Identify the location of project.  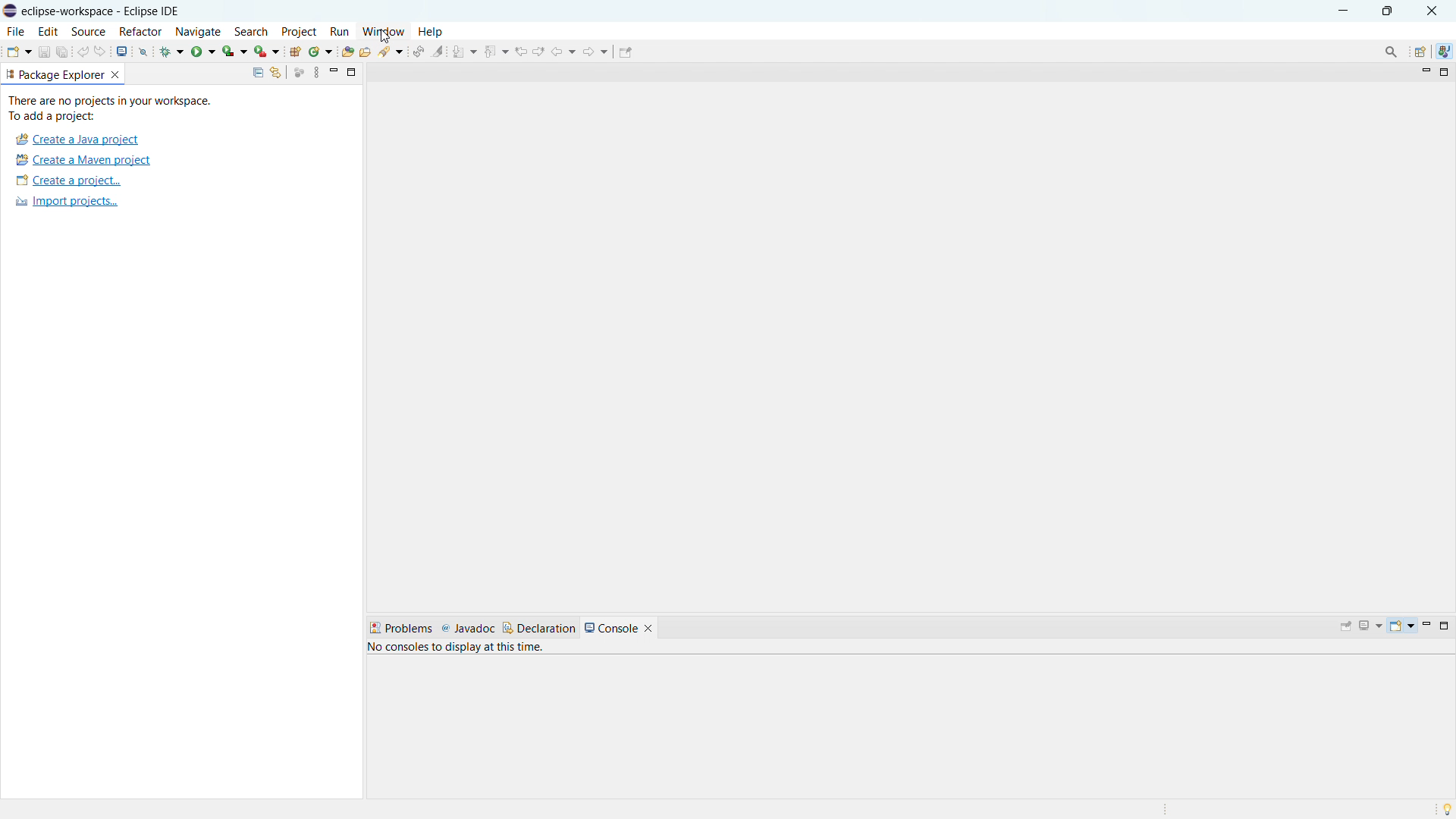
(299, 31).